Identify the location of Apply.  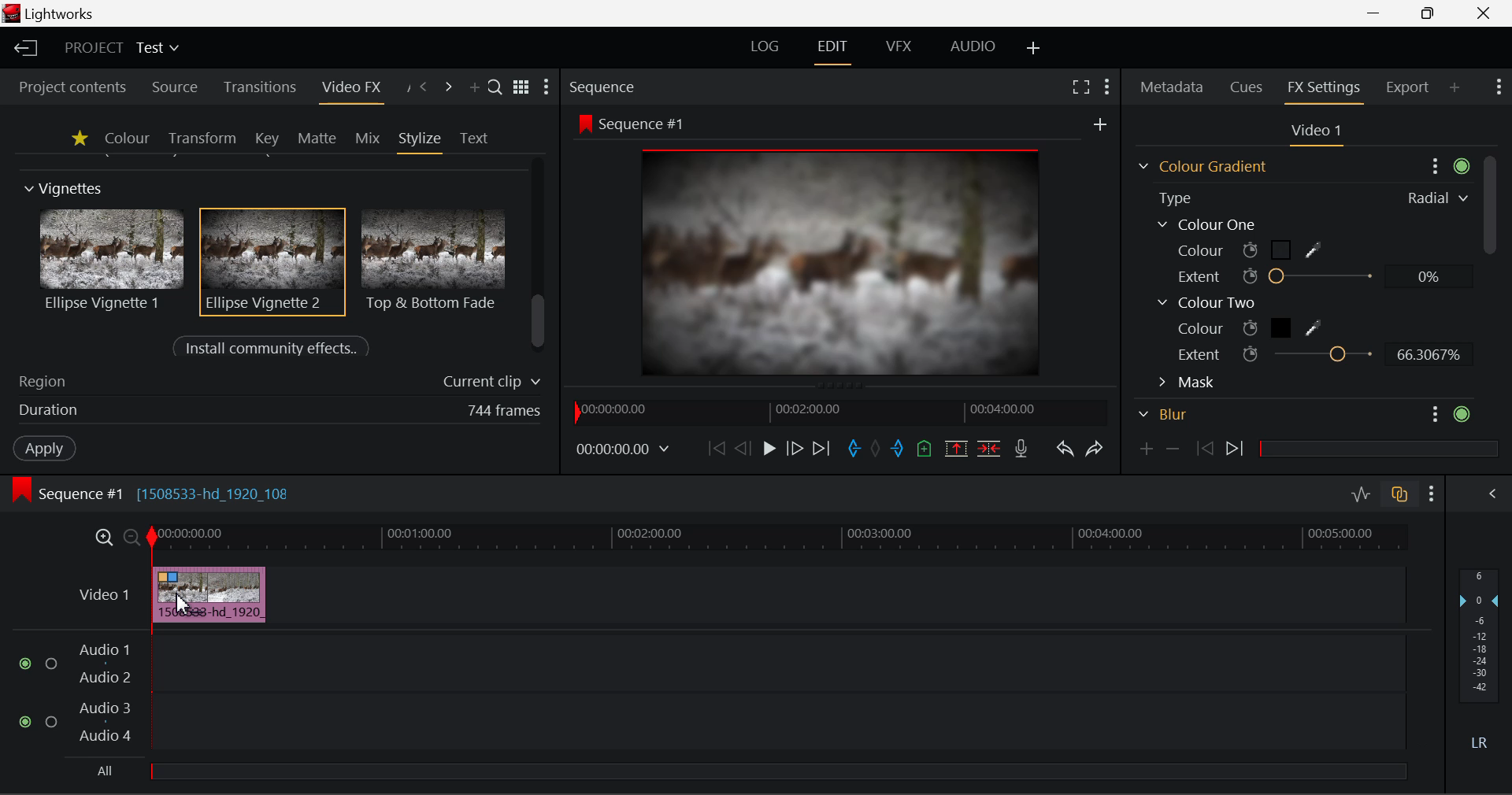
(44, 450).